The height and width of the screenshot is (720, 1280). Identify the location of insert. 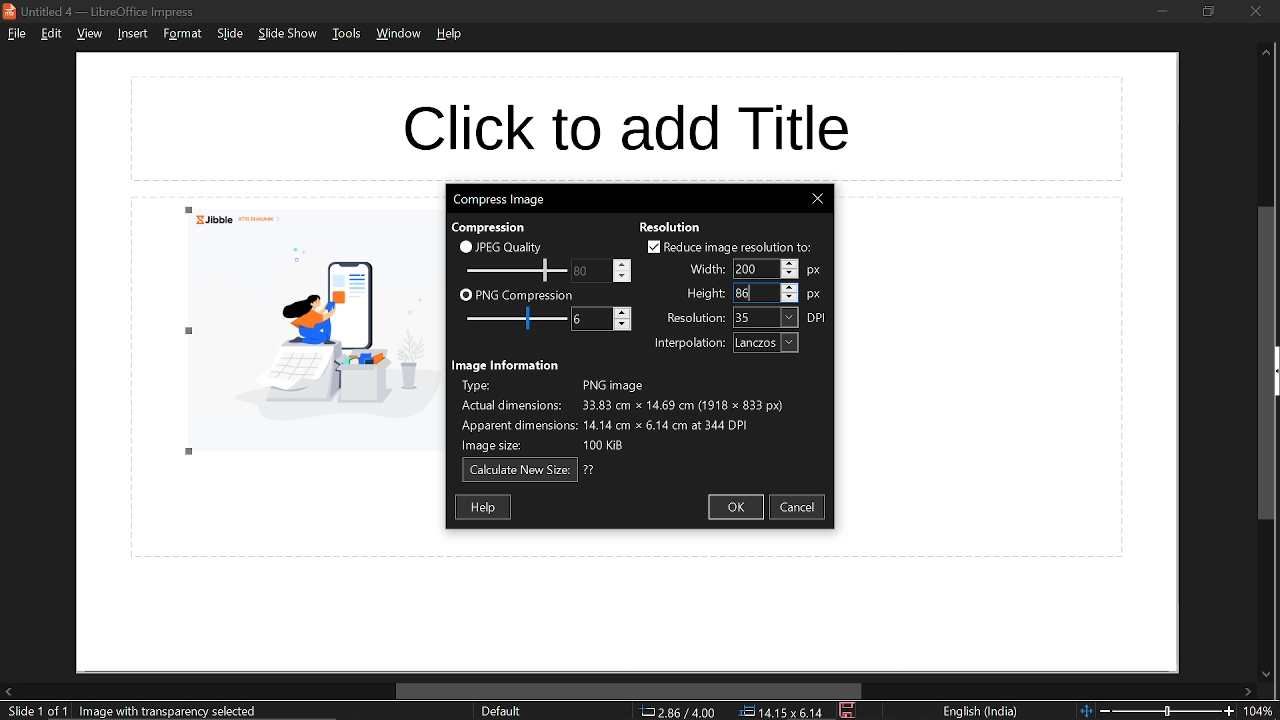
(130, 33).